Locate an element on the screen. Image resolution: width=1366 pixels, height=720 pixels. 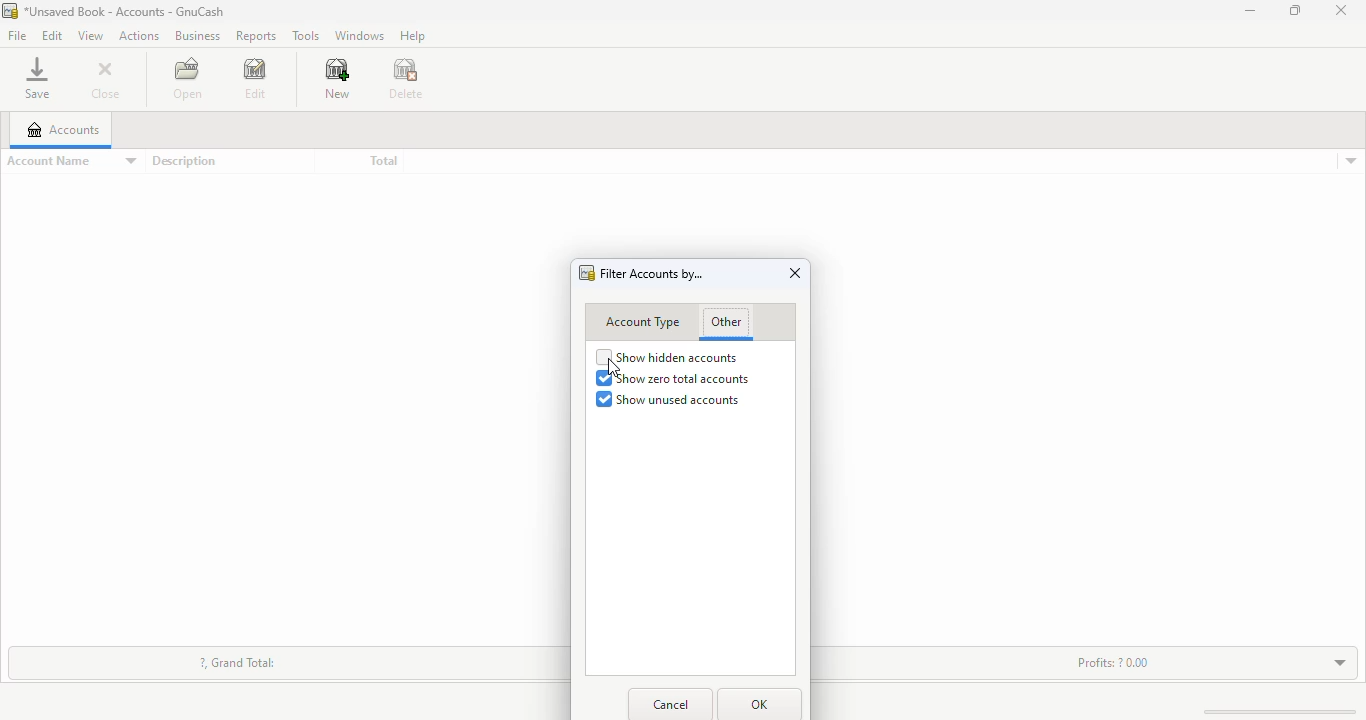
business is located at coordinates (197, 35).